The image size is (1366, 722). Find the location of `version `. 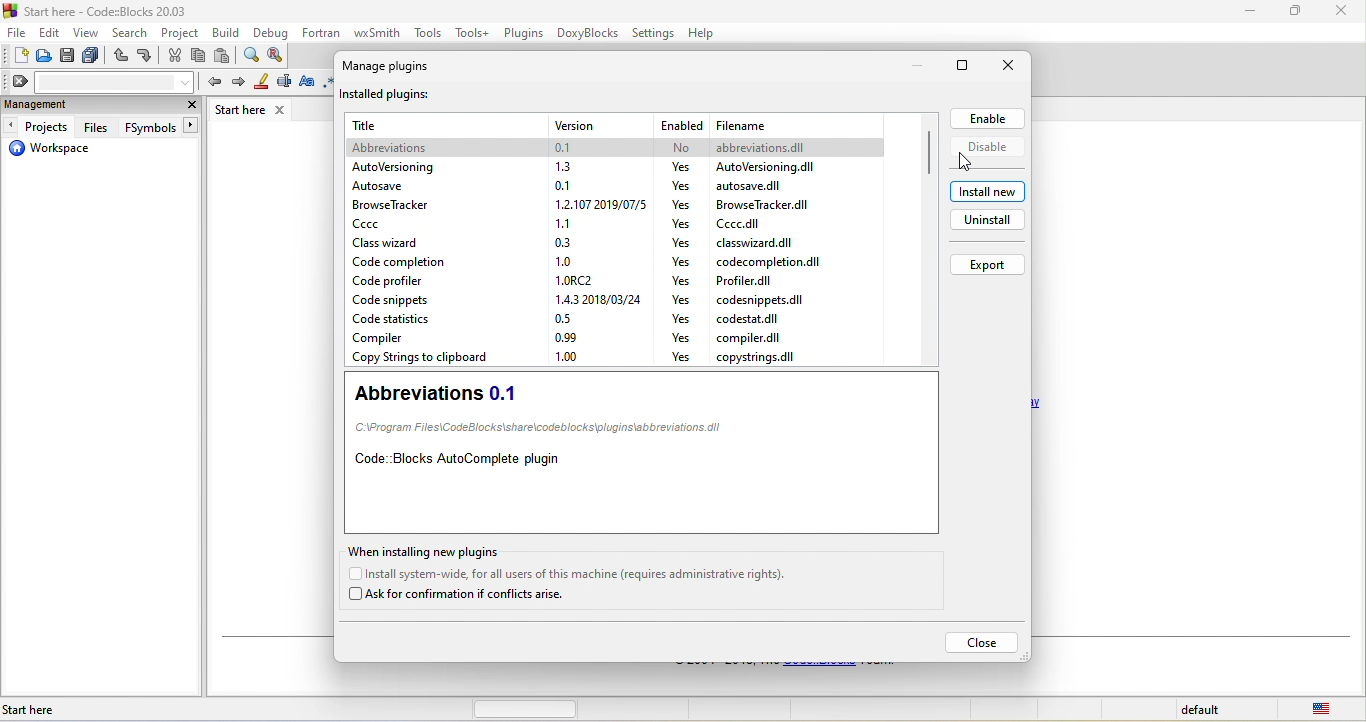

version  is located at coordinates (596, 205).